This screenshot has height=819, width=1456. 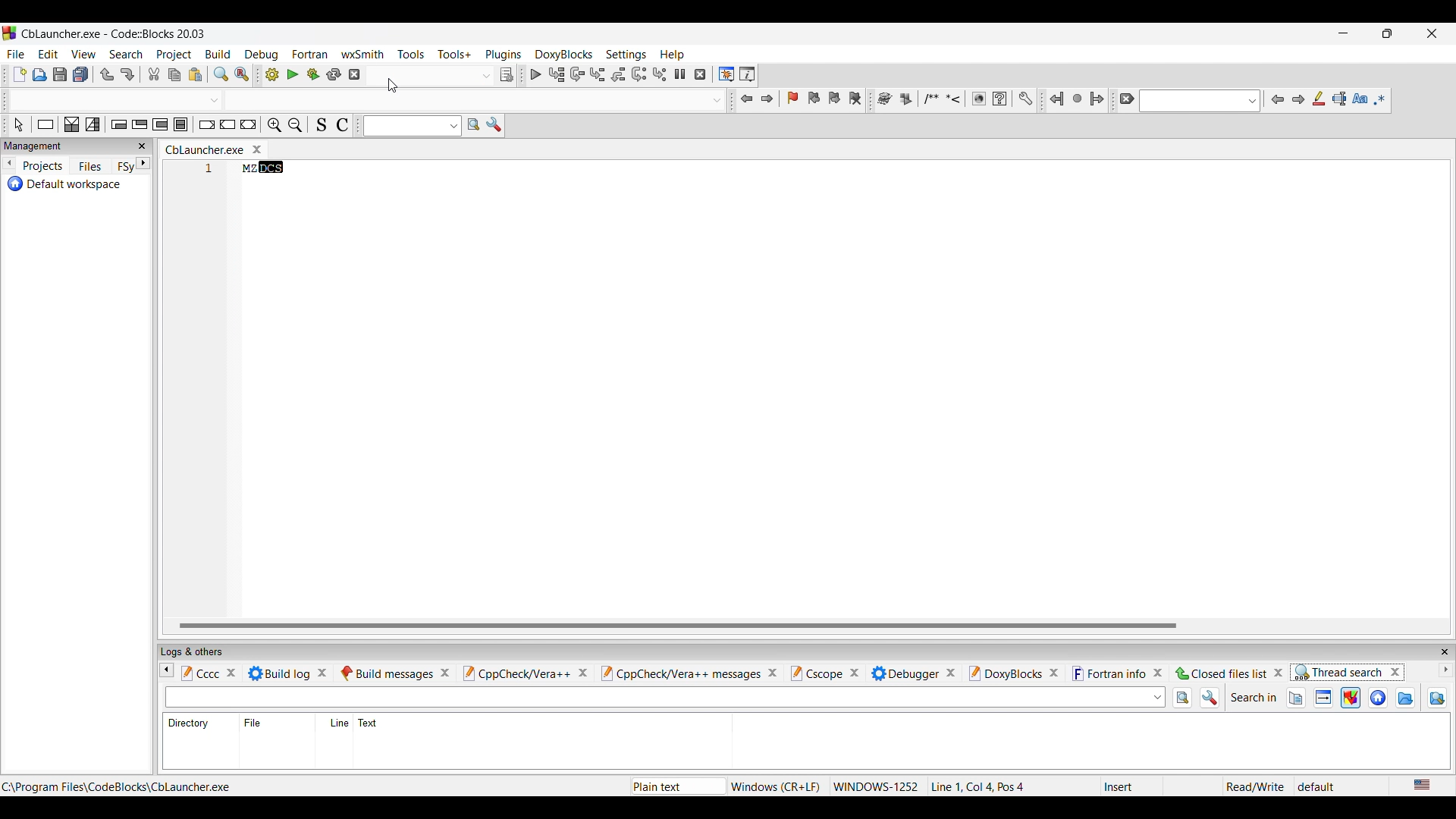 What do you see at coordinates (1210, 697) in the screenshot?
I see `Options` at bounding box center [1210, 697].